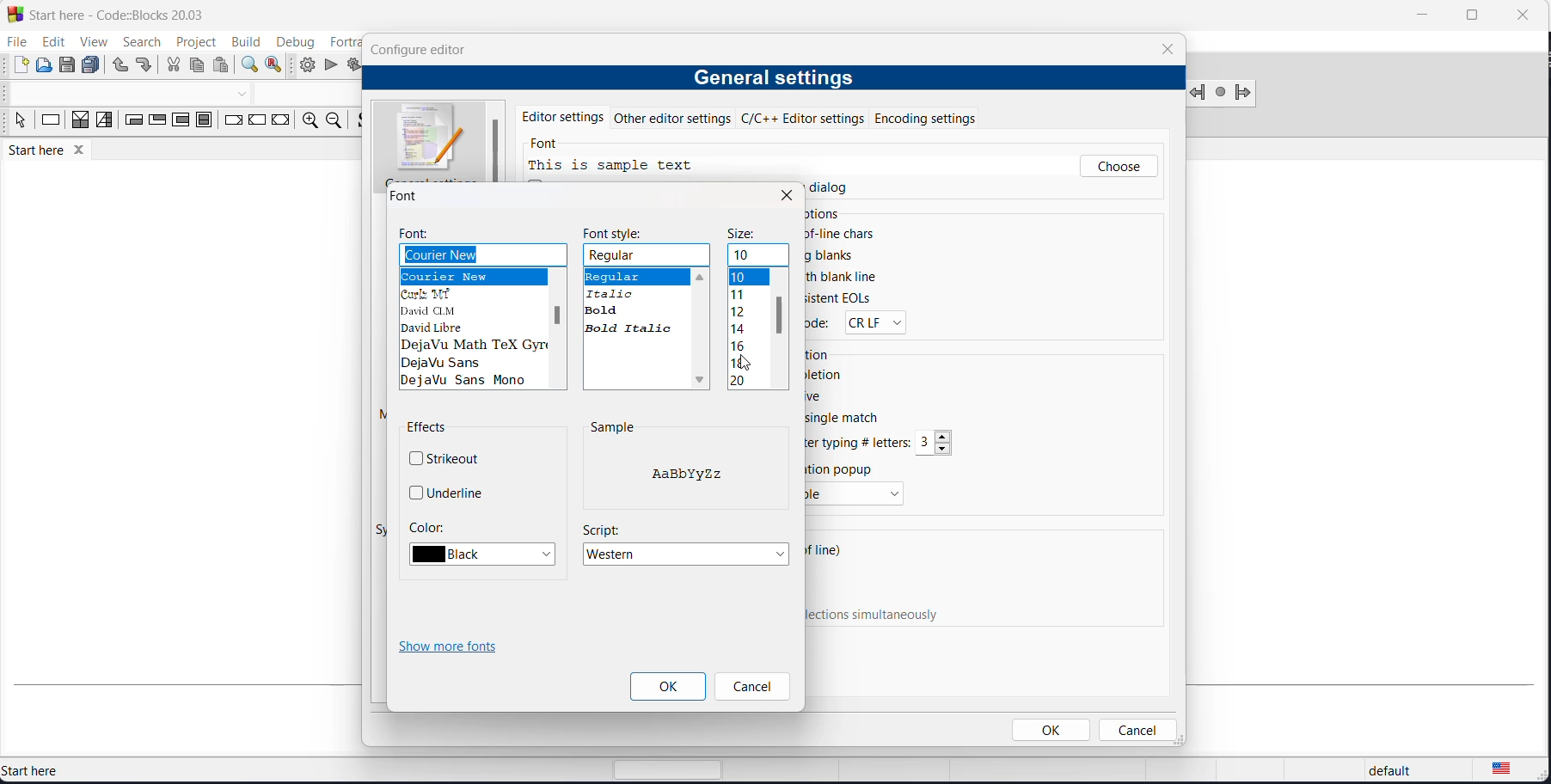  Describe the element at coordinates (104, 123) in the screenshot. I see `selection` at that location.